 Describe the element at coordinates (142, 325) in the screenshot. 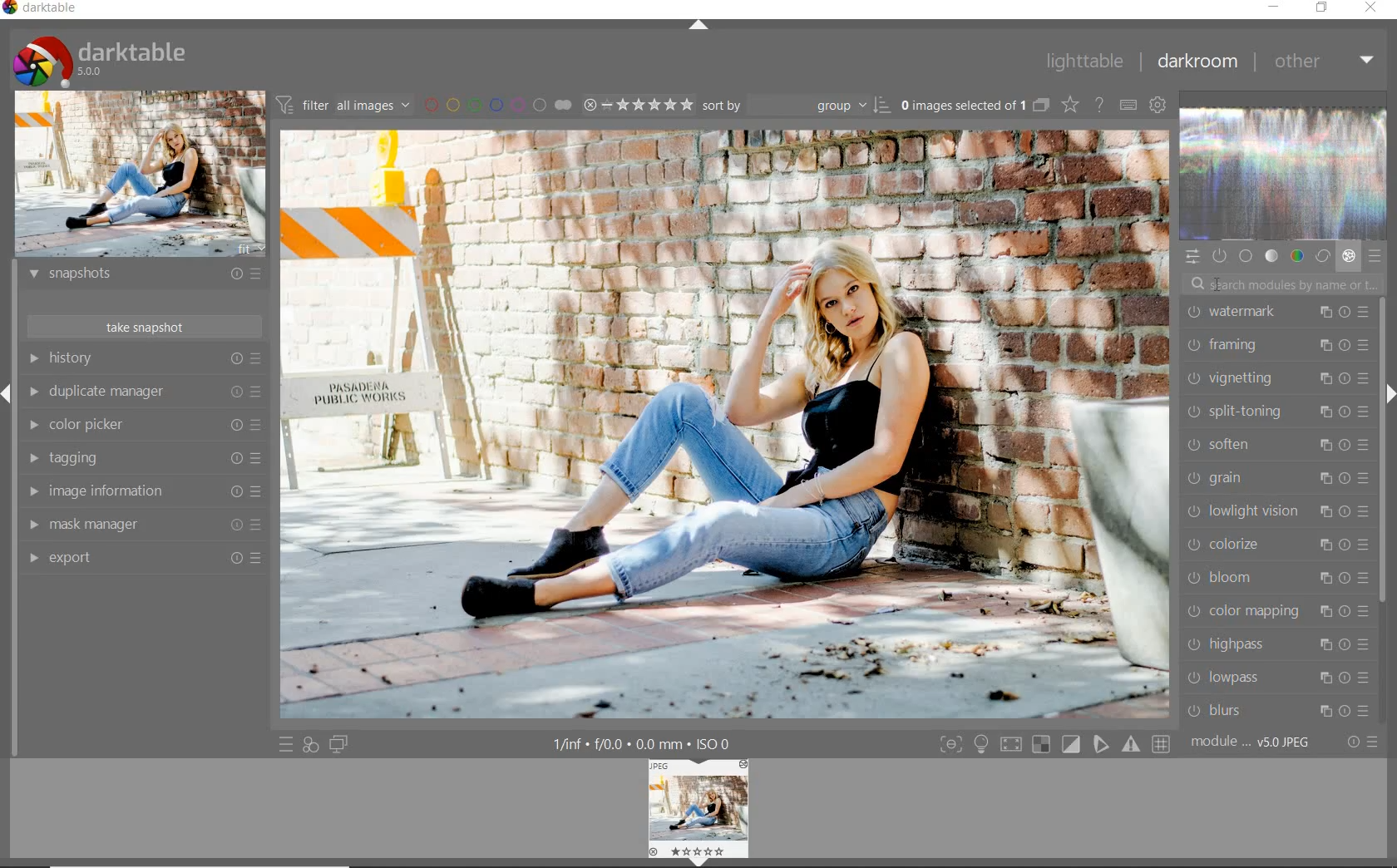

I see `take snapshot` at that location.